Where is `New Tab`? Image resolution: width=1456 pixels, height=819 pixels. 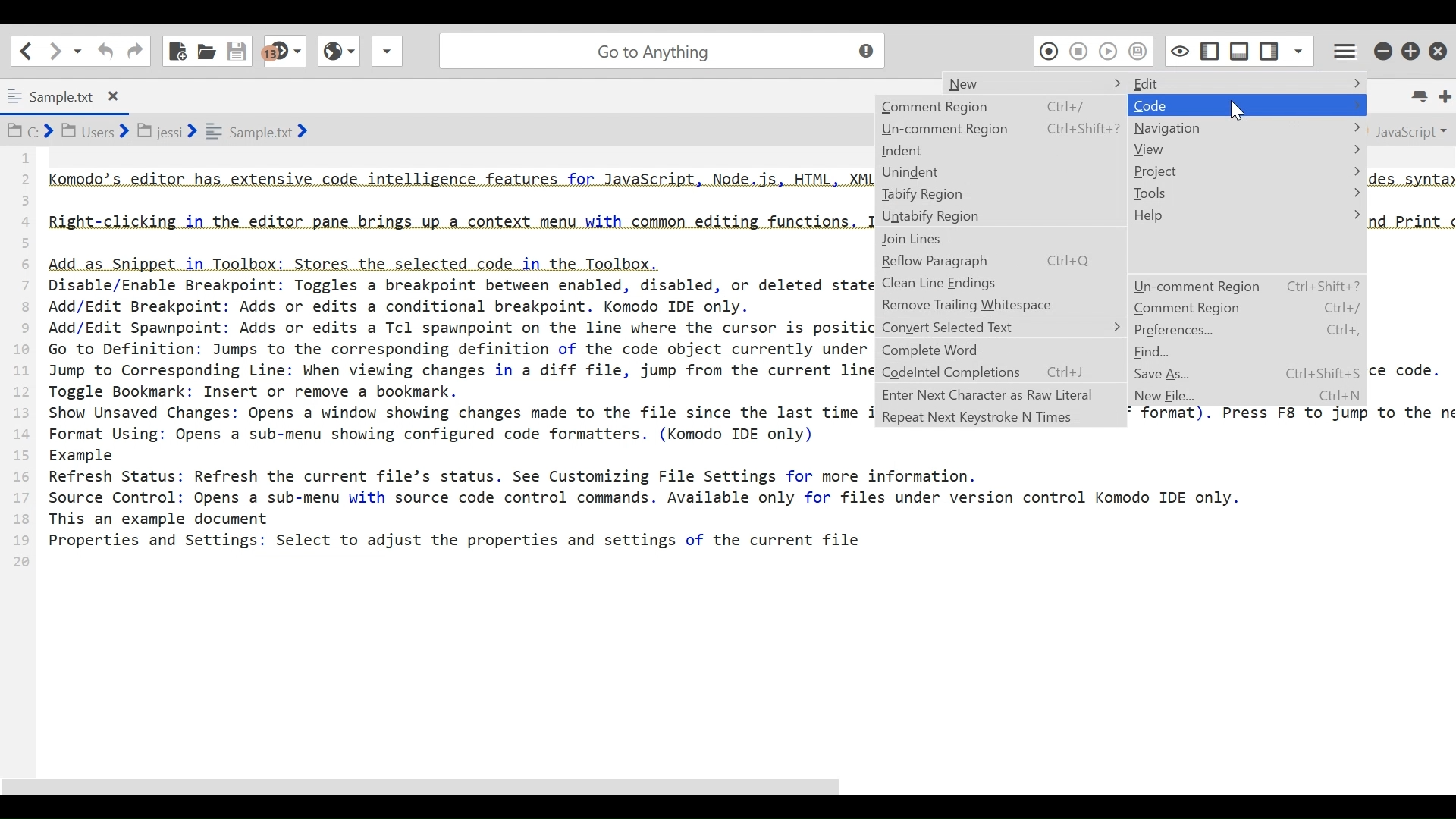
New Tab is located at coordinates (1445, 96).